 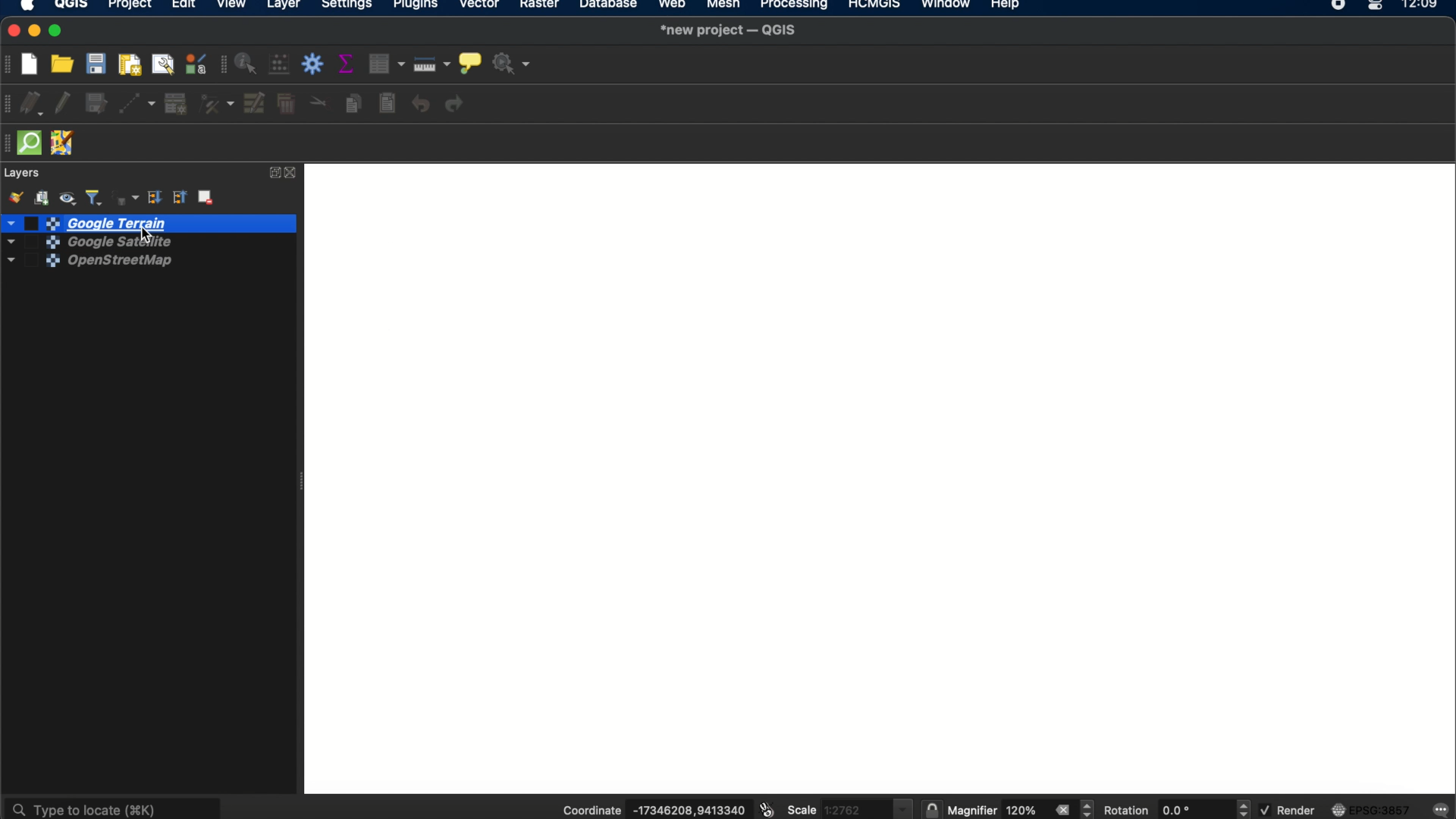 What do you see at coordinates (433, 64) in the screenshot?
I see `measure line` at bounding box center [433, 64].